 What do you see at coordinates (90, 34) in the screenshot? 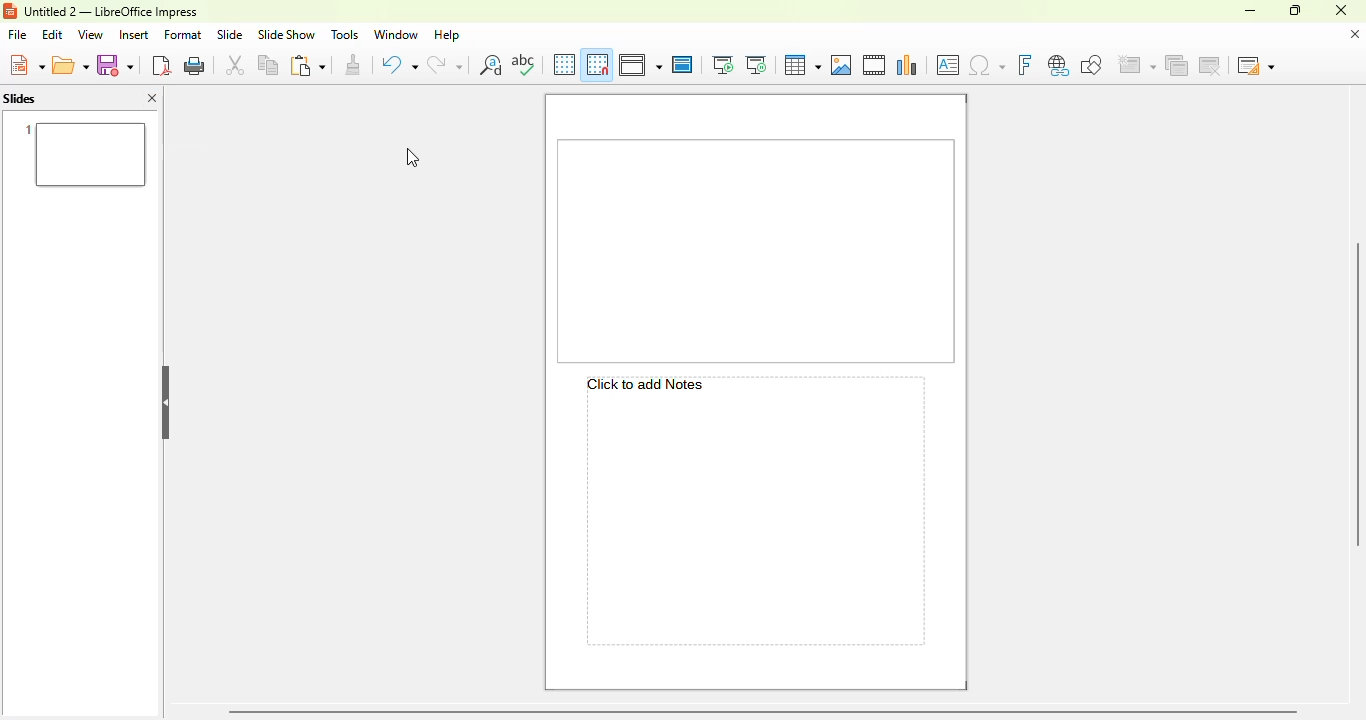
I see `view` at bounding box center [90, 34].